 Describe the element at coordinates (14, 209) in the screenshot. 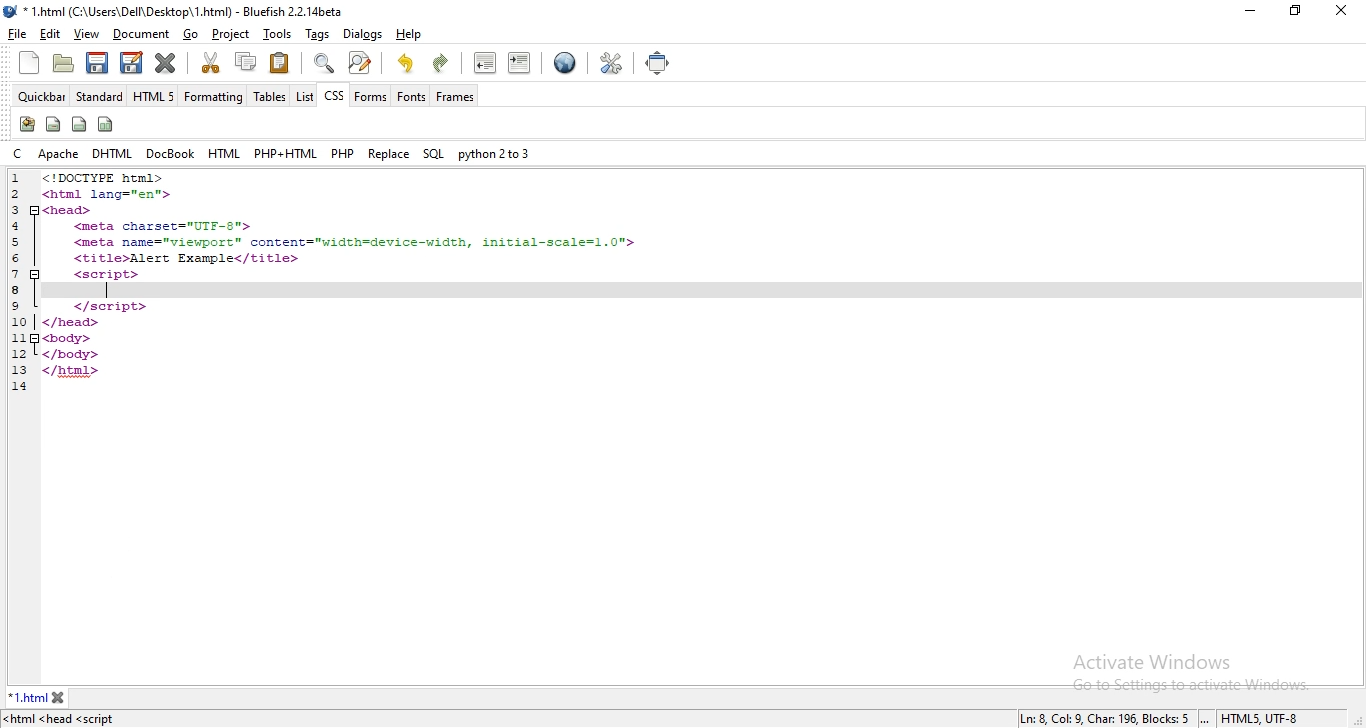

I see `3` at that location.